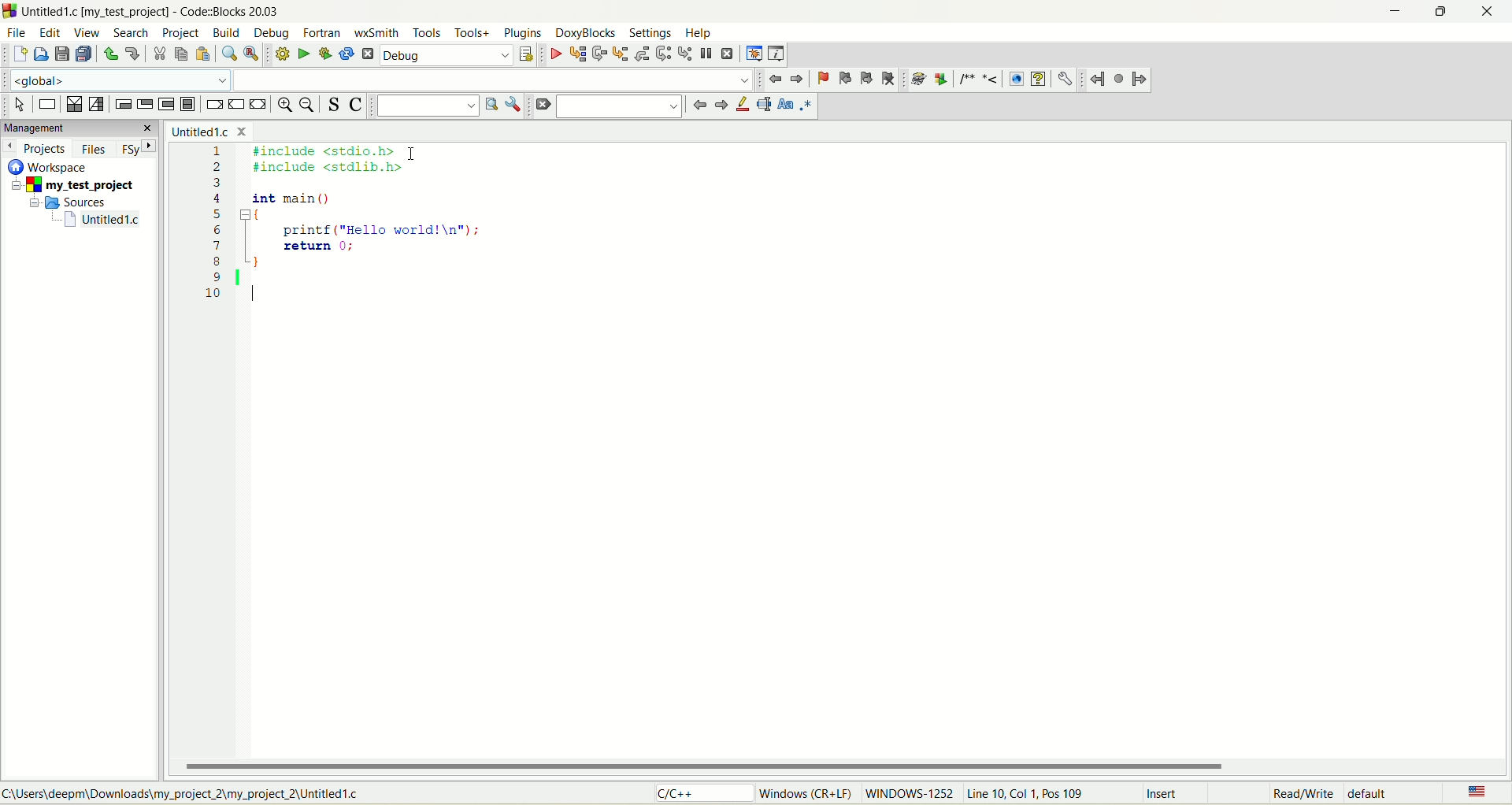 The height and width of the screenshot is (805, 1512). What do you see at coordinates (157, 12) in the screenshot?
I see `*Untitled1.c [my_test_project] - Code::Blocks 20.03` at bounding box center [157, 12].